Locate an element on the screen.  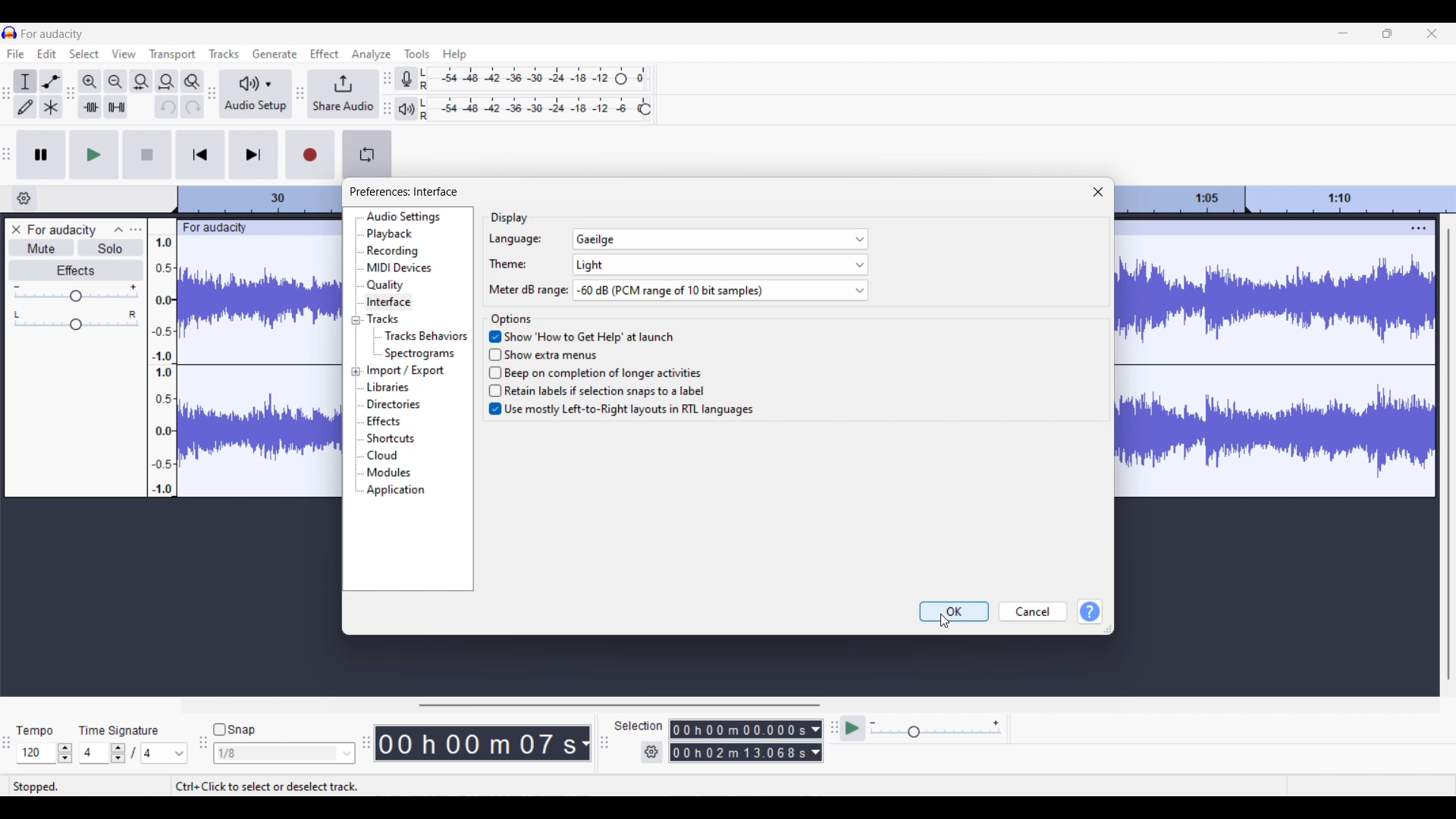
Cursor clicking on OK is located at coordinates (946, 621).